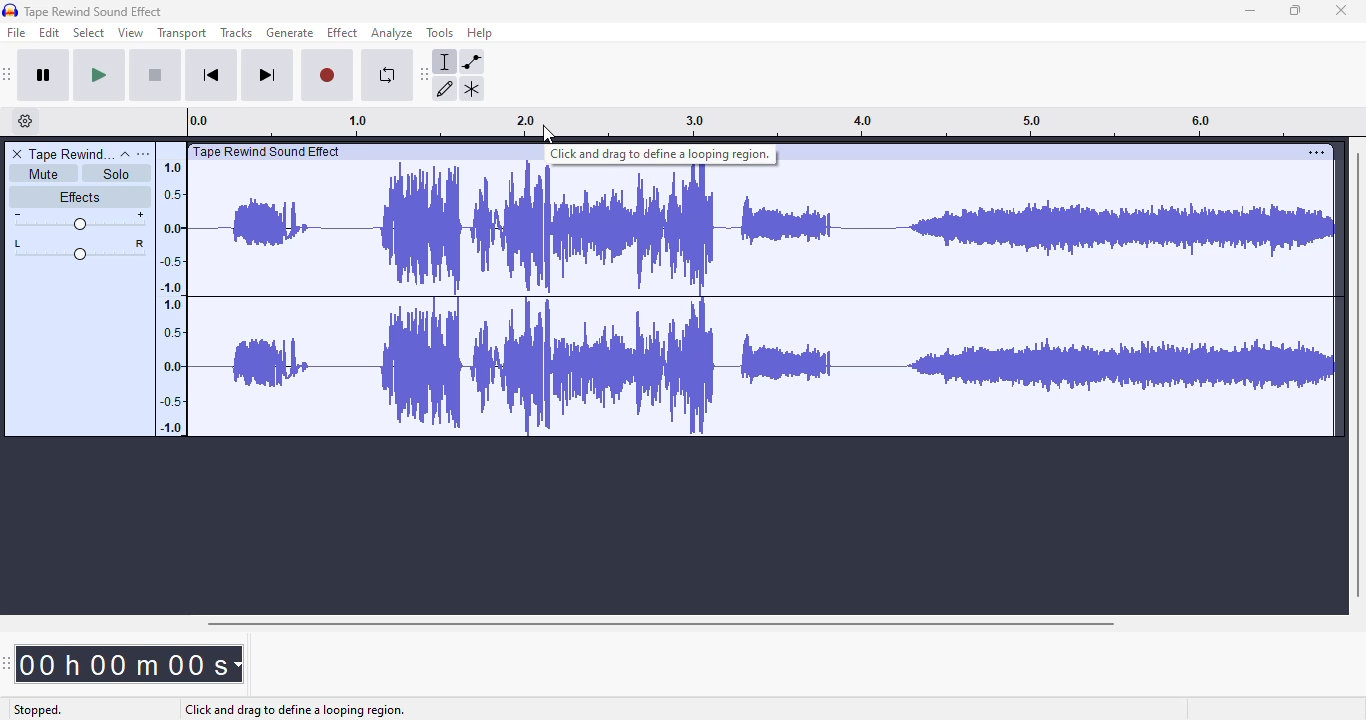 This screenshot has width=1366, height=720. I want to click on solo, so click(118, 174).